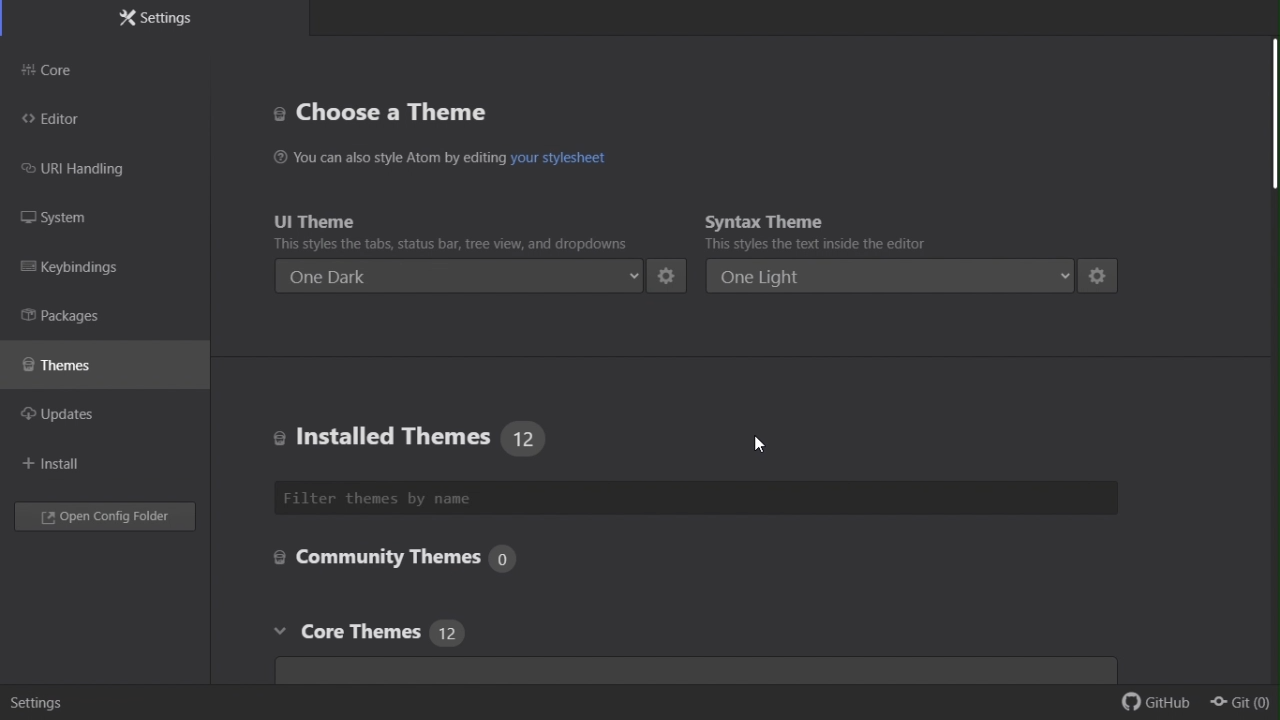 This screenshot has height=720, width=1280. What do you see at coordinates (561, 159) in the screenshot?
I see `hyperlink` at bounding box center [561, 159].